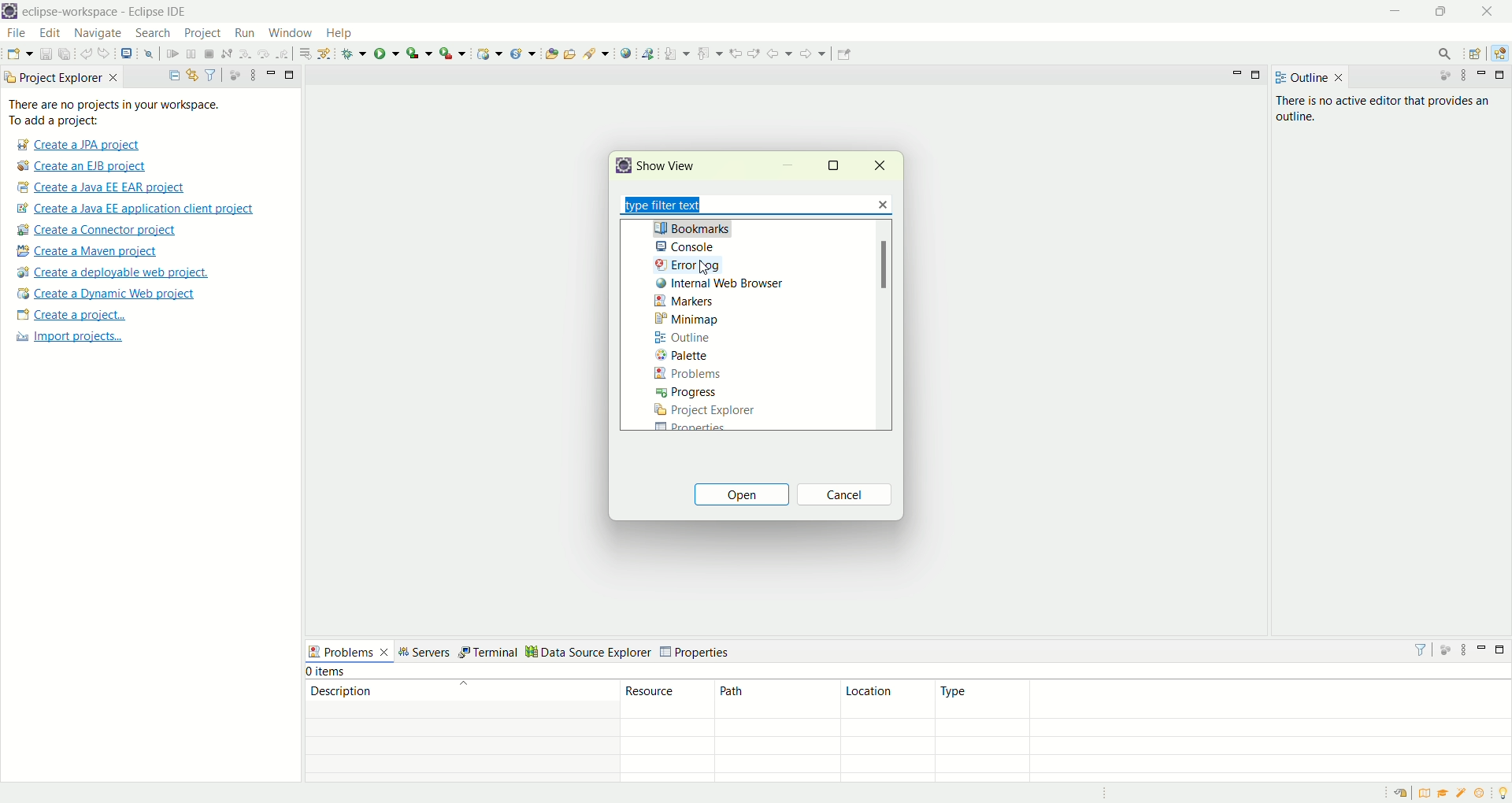 The height and width of the screenshot is (803, 1512). What do you see at coordinates (777, 698) in the screenshot?
I see `path` at bounding box center [777, 698].